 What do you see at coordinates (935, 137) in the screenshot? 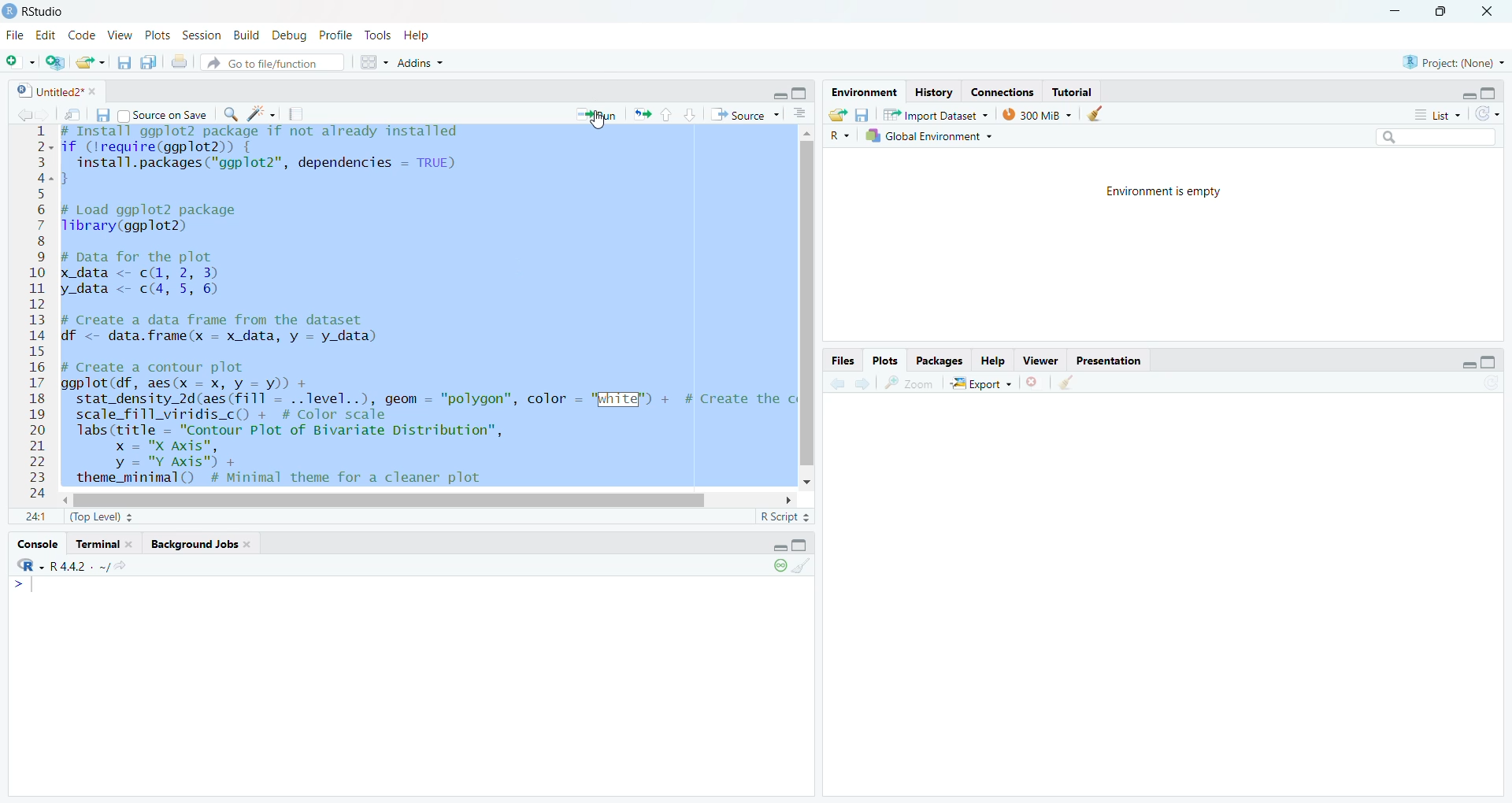
I see ` Global Environment ` at bounding box center [935, 137].